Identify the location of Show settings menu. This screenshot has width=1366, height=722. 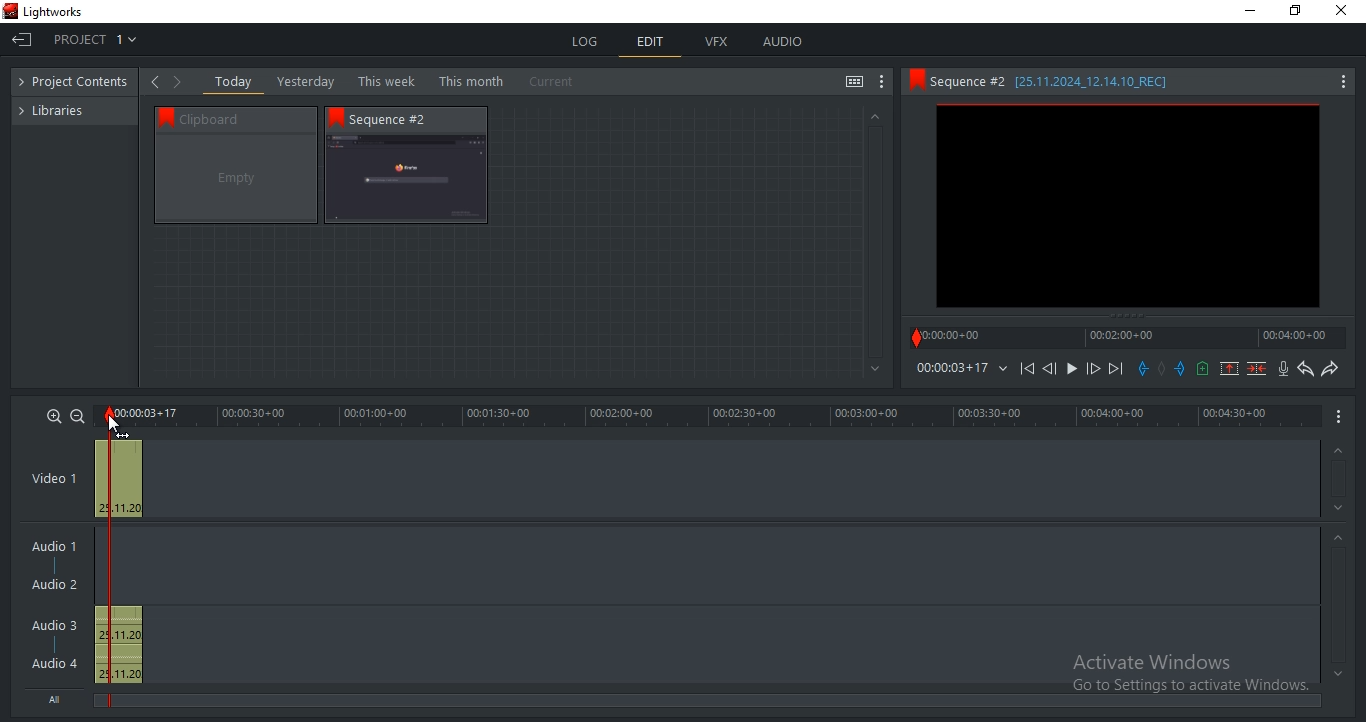
(1342, 83).